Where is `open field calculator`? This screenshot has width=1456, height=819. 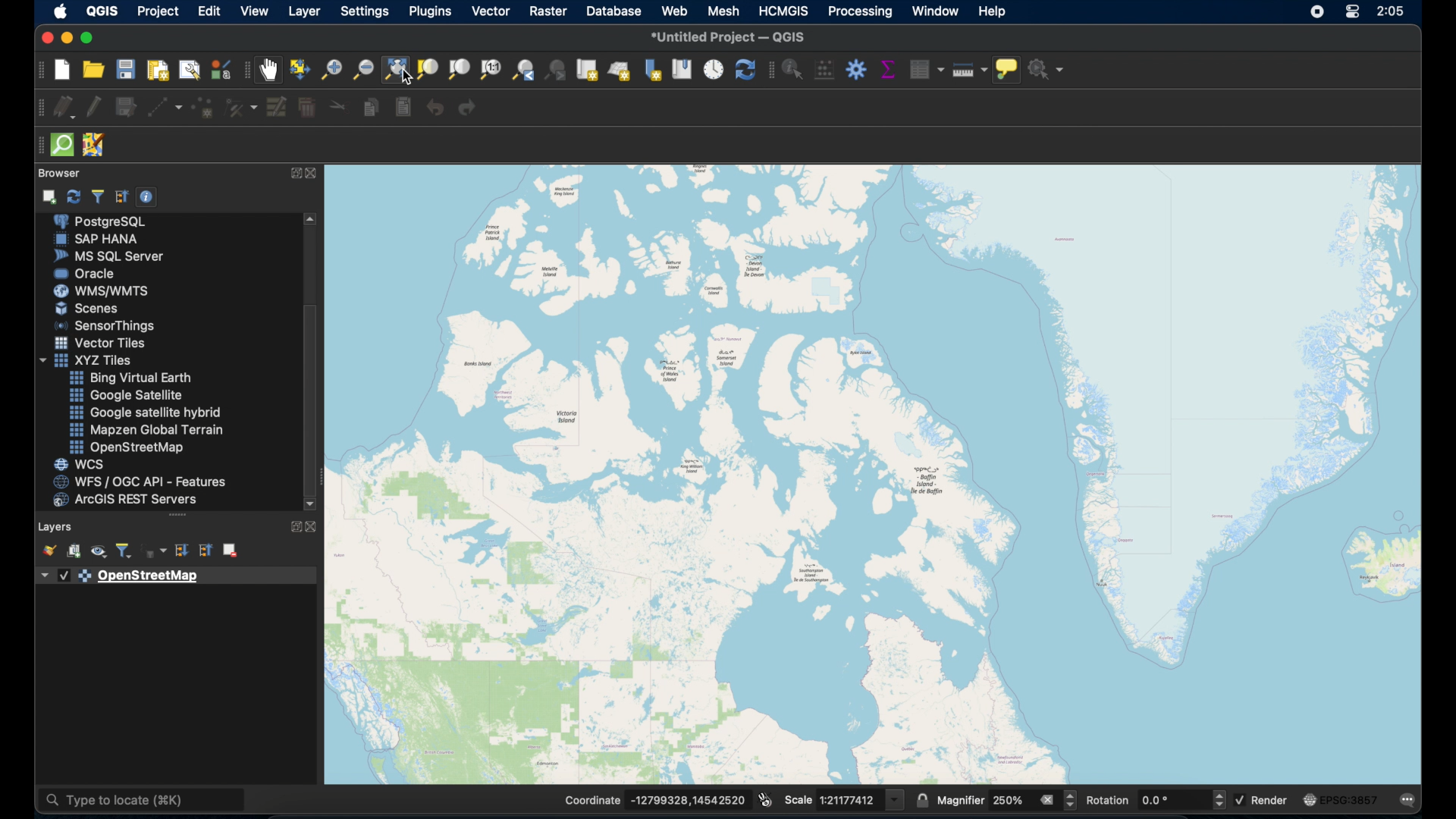
open field calculator is located at coordinates (825, 70).